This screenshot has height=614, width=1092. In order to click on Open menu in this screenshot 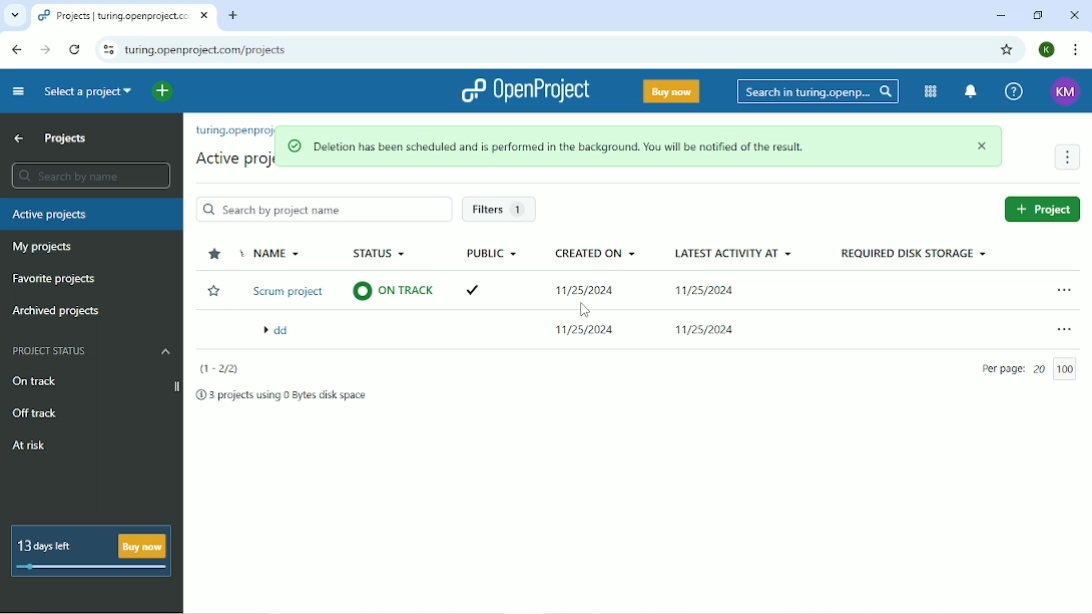, I will do `click(1060, 331)`.